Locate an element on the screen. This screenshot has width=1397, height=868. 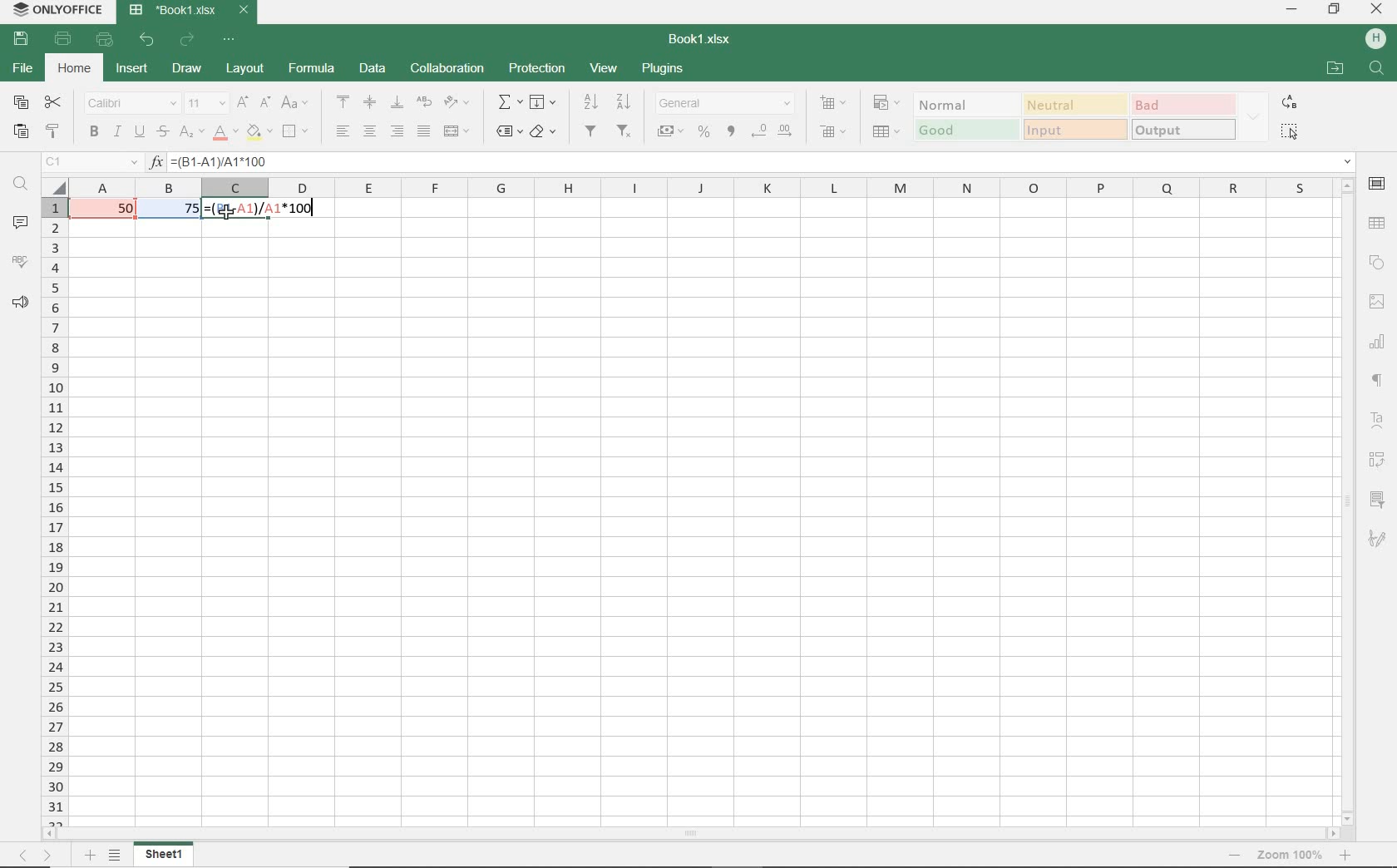
move sheets is located at coordinates (35, 855).